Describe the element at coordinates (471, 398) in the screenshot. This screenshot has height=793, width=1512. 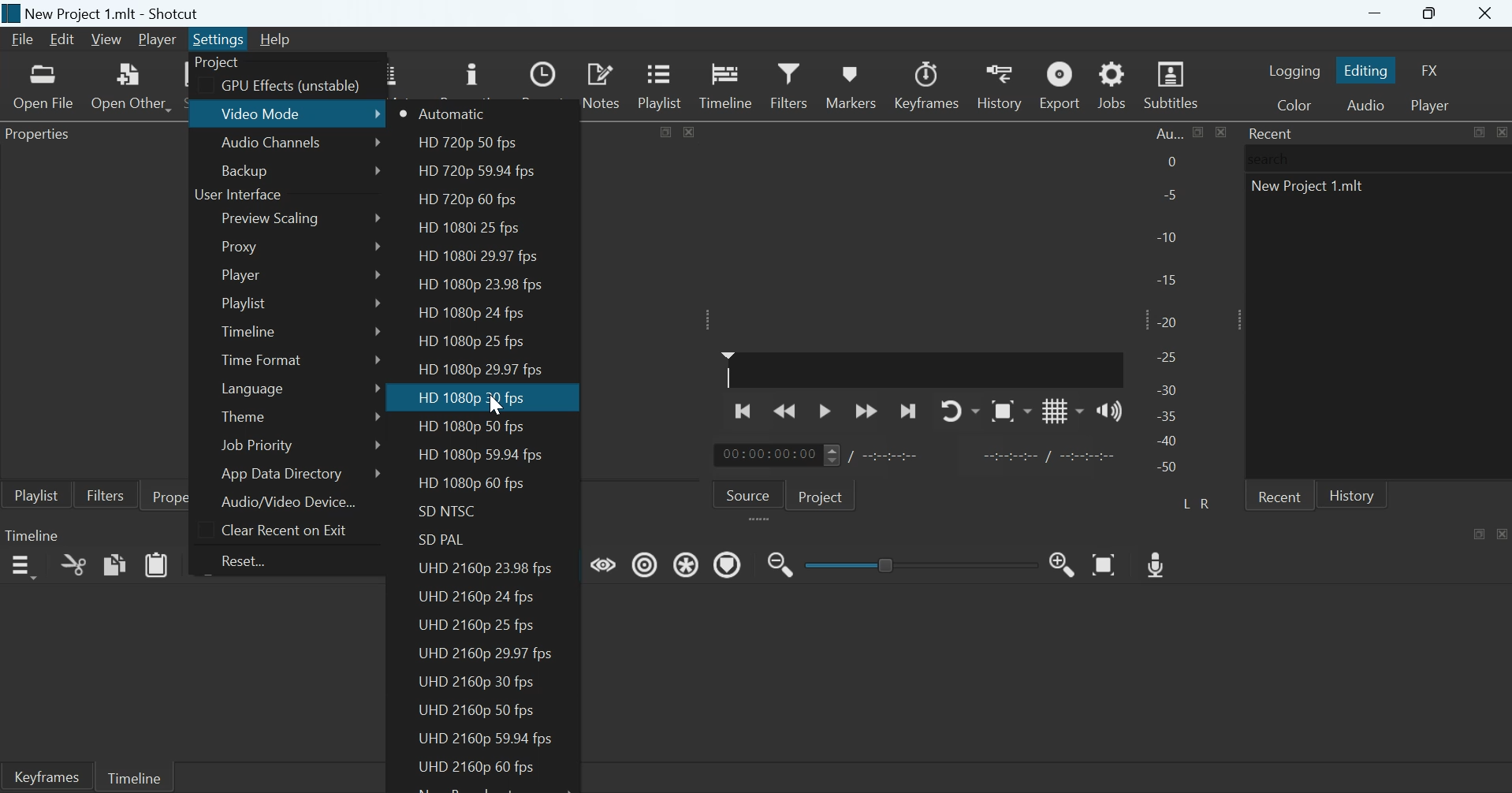
I see `HD 1080p 30fps` at that location.